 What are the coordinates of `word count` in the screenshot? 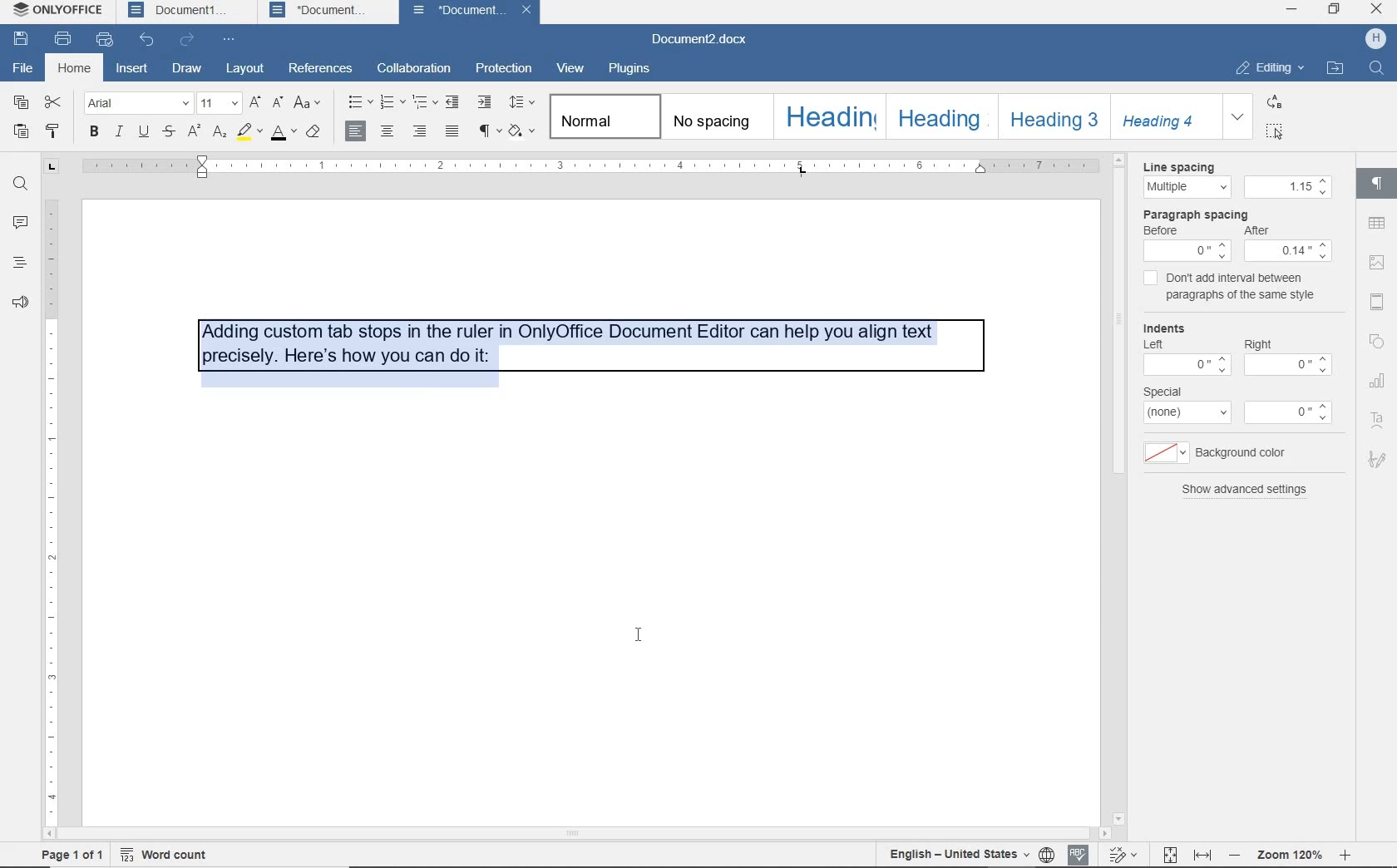 It's located at (172, 856).